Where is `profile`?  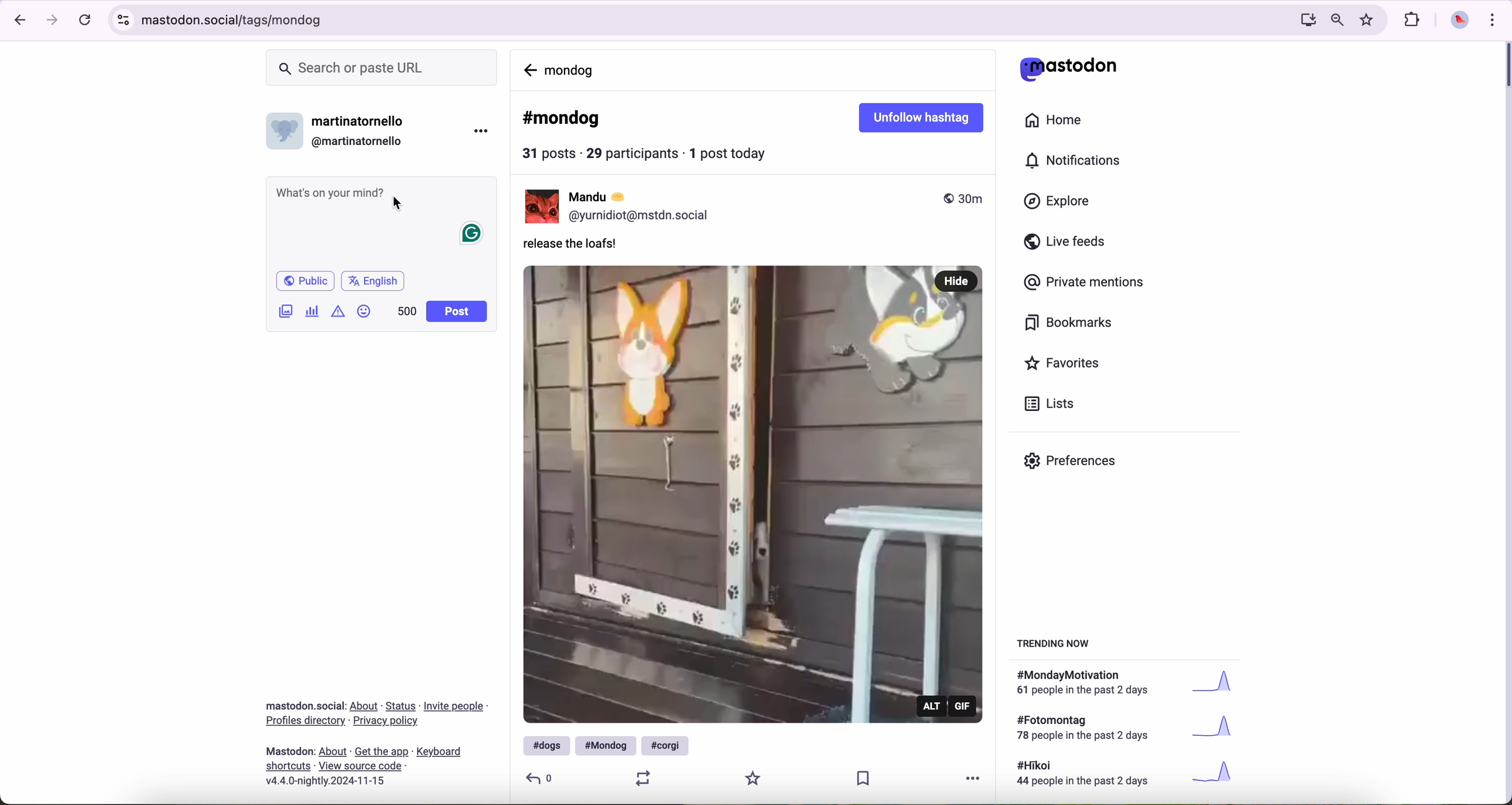 profile is located at coordinates (285, 135).